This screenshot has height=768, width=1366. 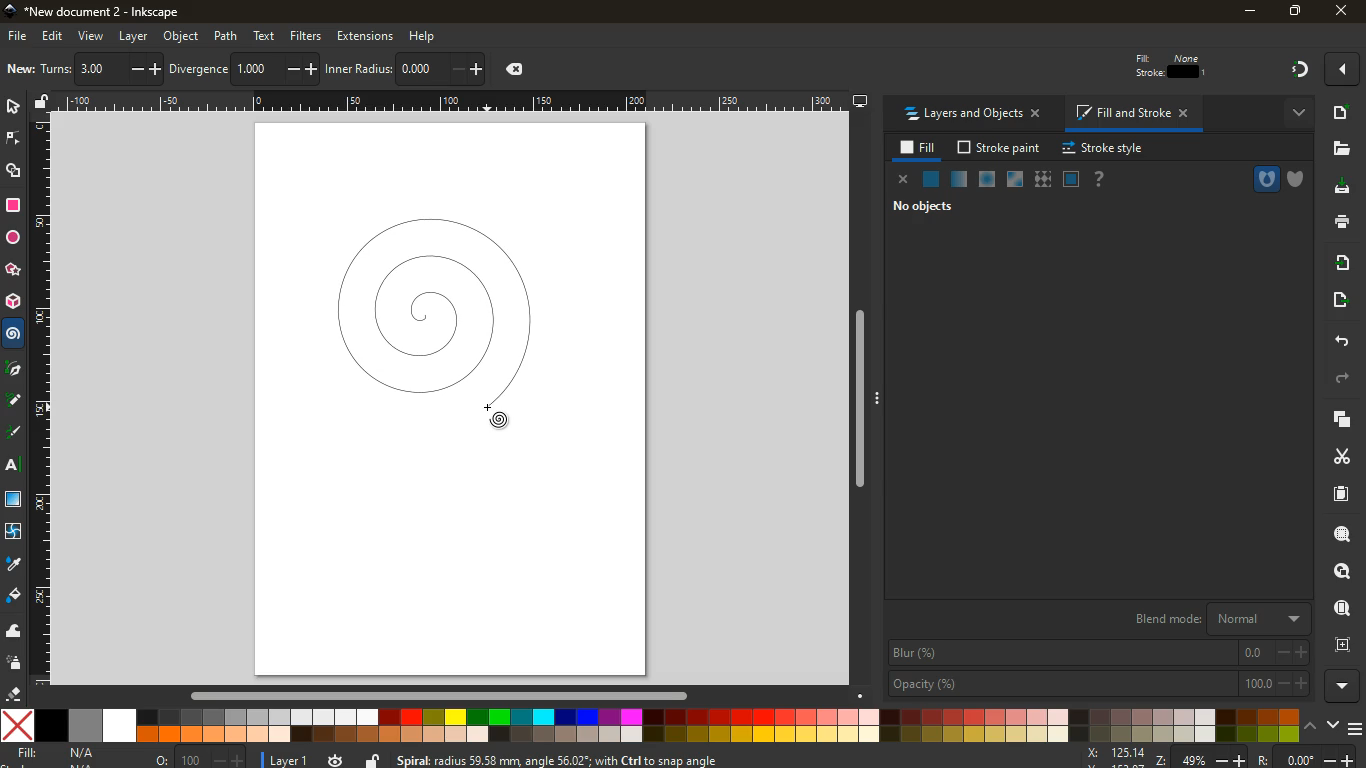 I want to click on layer, so click(x=286, y=758).